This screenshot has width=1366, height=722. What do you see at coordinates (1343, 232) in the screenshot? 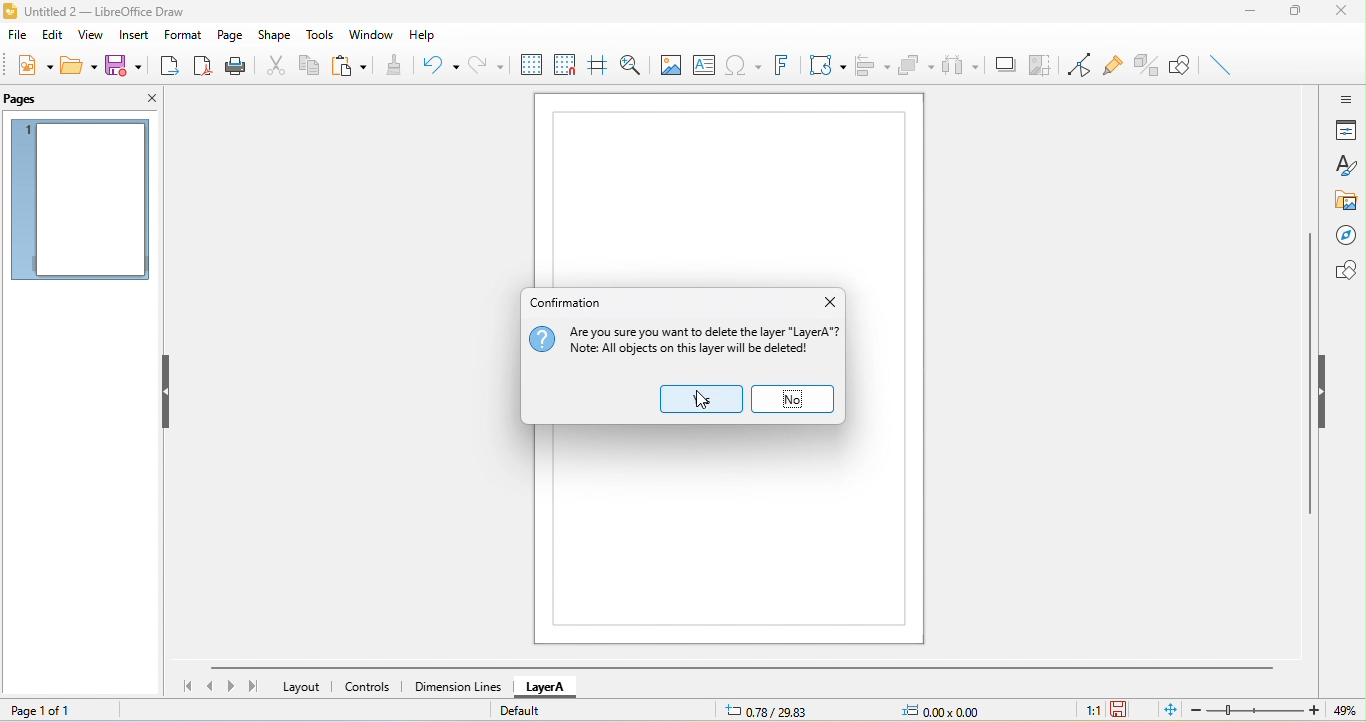
I see `navigator` at bounding box center [1343, 232].